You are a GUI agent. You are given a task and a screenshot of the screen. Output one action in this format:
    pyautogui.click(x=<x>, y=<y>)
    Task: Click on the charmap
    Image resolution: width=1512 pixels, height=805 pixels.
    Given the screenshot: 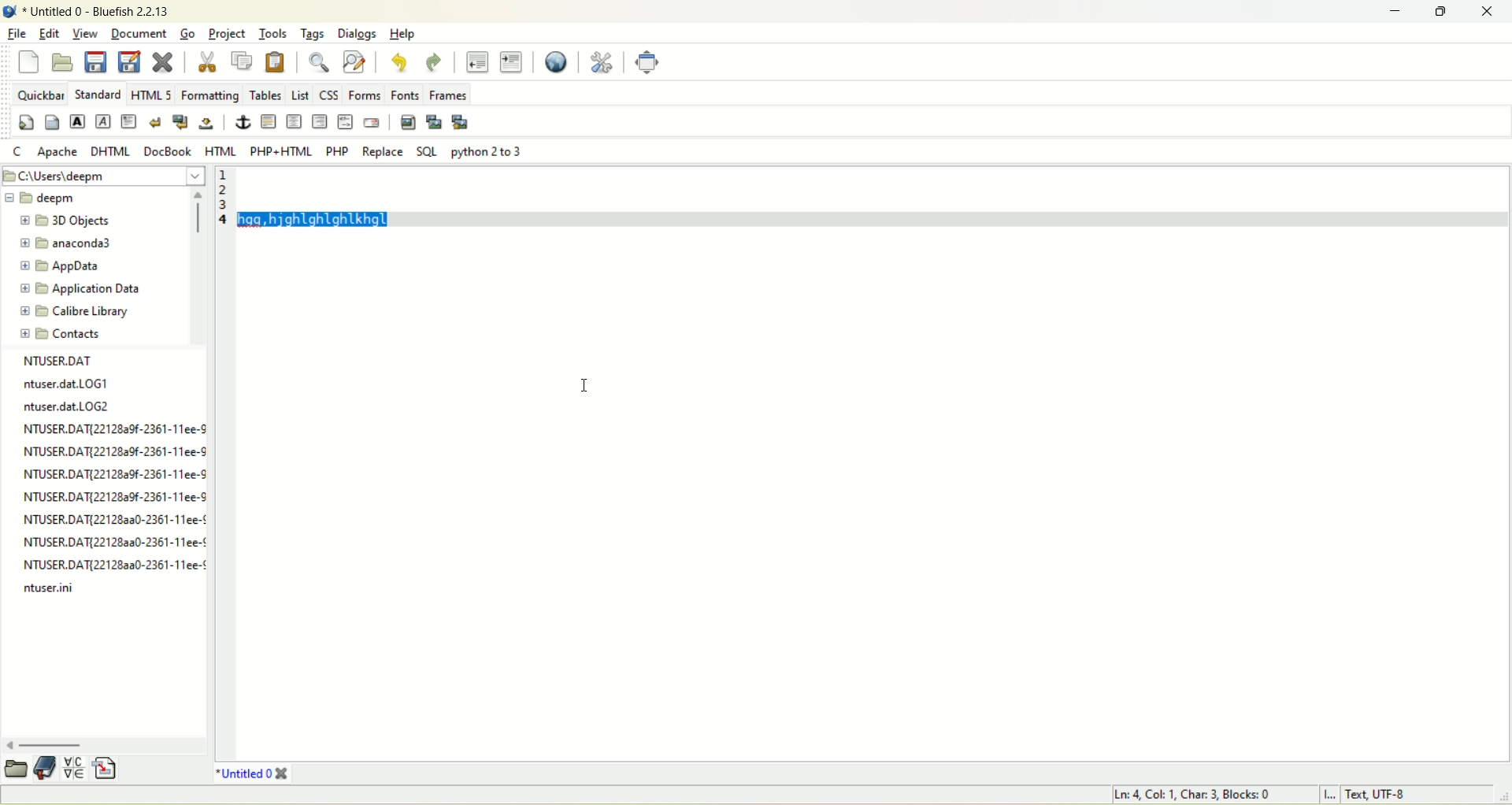 What is the action you would take?
    pyautogui.click(x=75, y=768)
    